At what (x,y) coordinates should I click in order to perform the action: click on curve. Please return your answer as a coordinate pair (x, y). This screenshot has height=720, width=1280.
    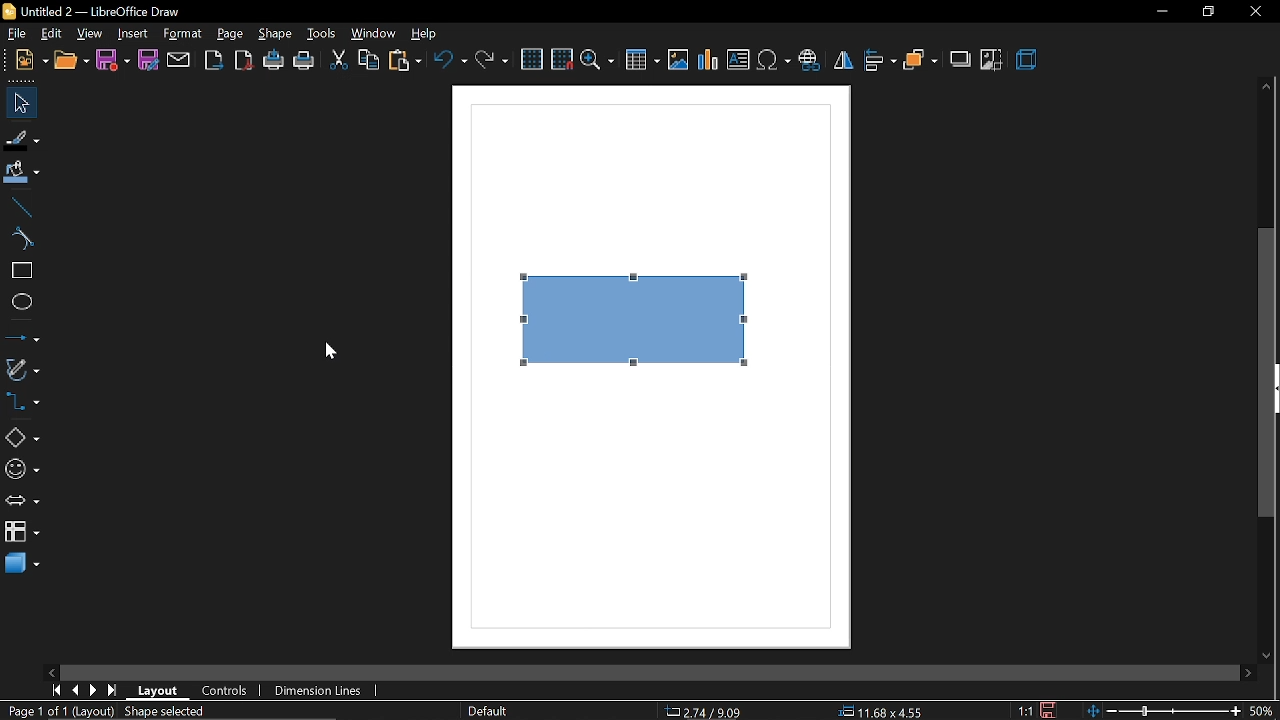
    Looking at the image, I should click on (20, 238).